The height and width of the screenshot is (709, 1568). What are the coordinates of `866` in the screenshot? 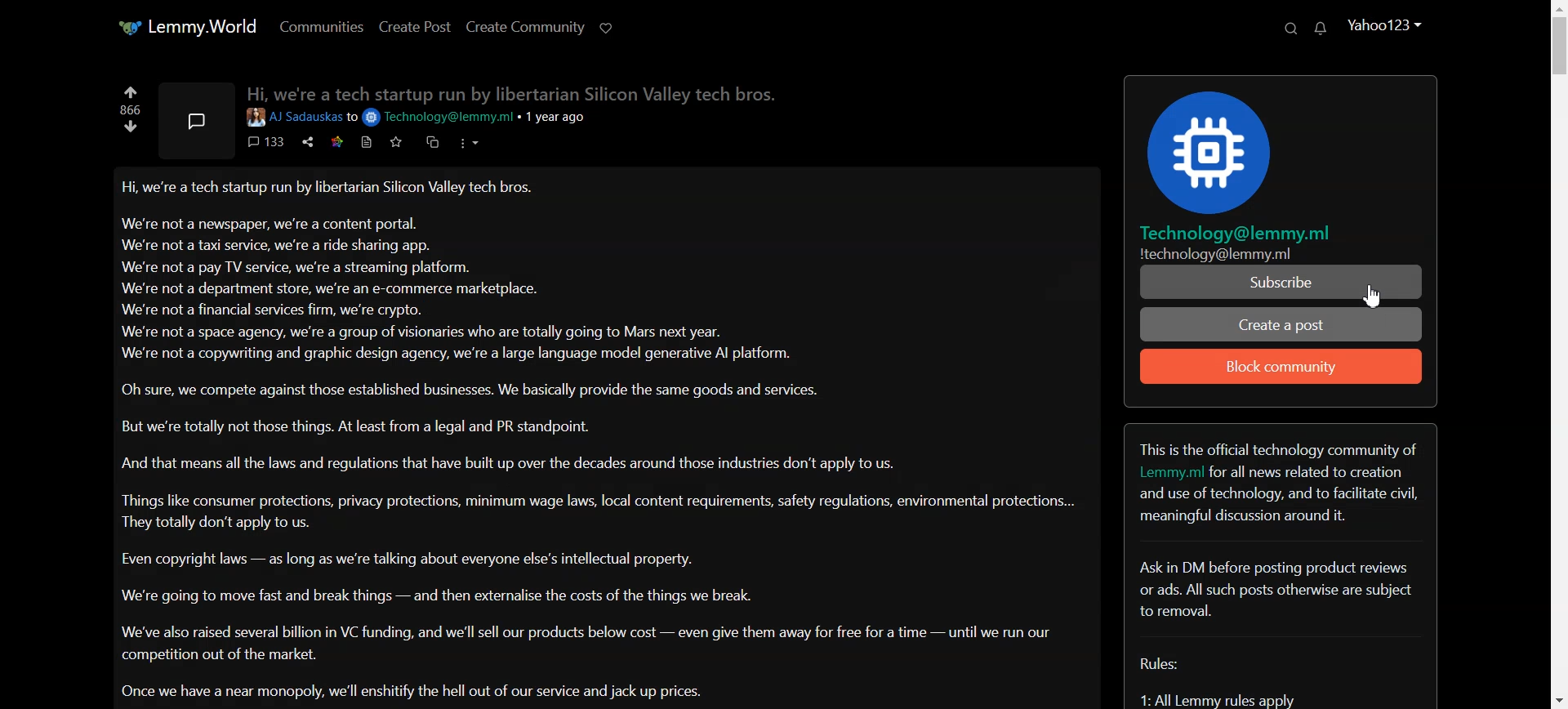 It's located at (129, 109).